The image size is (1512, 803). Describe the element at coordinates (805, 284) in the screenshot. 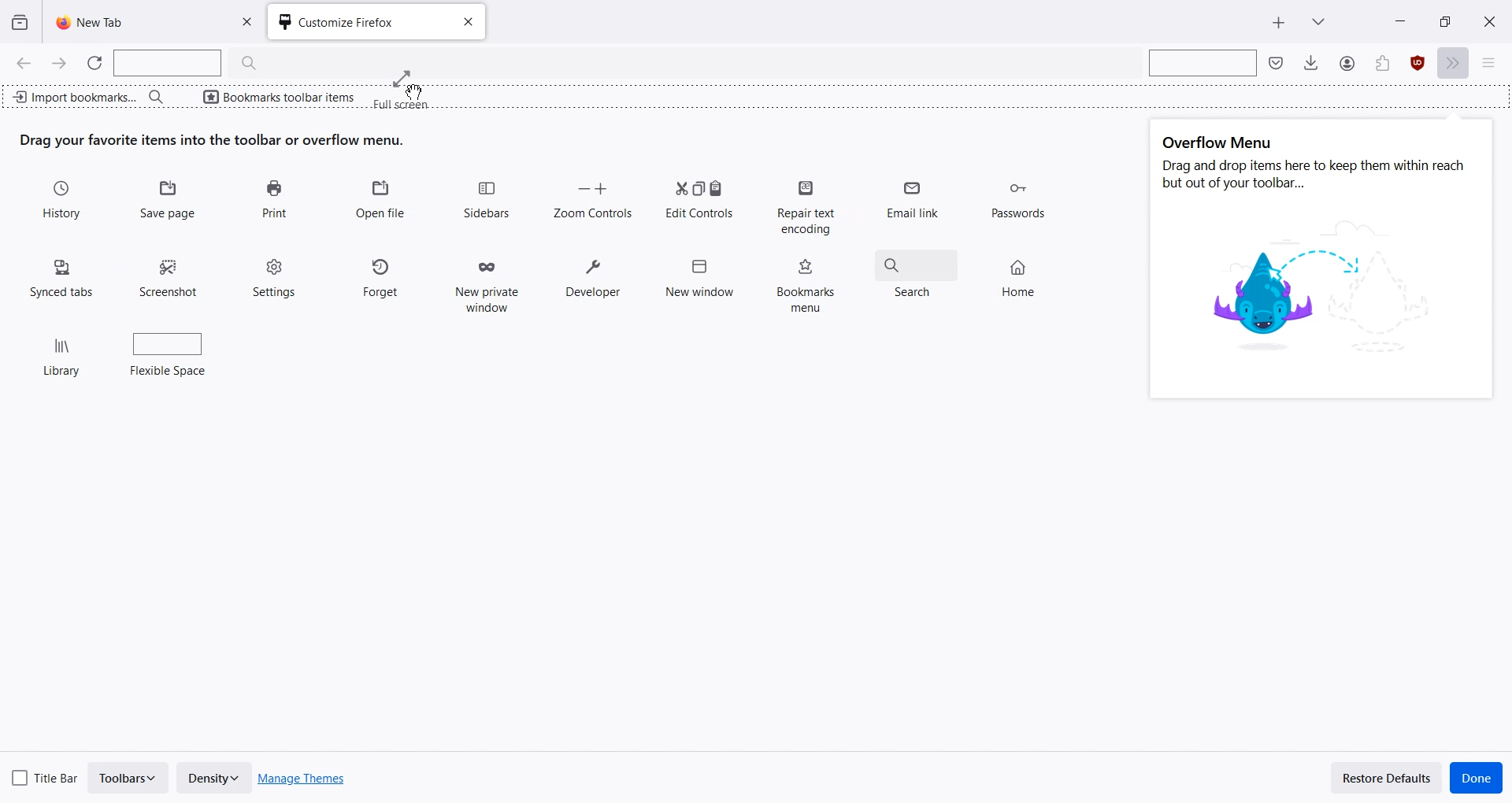

I see `Bookmarks menu` at that location.